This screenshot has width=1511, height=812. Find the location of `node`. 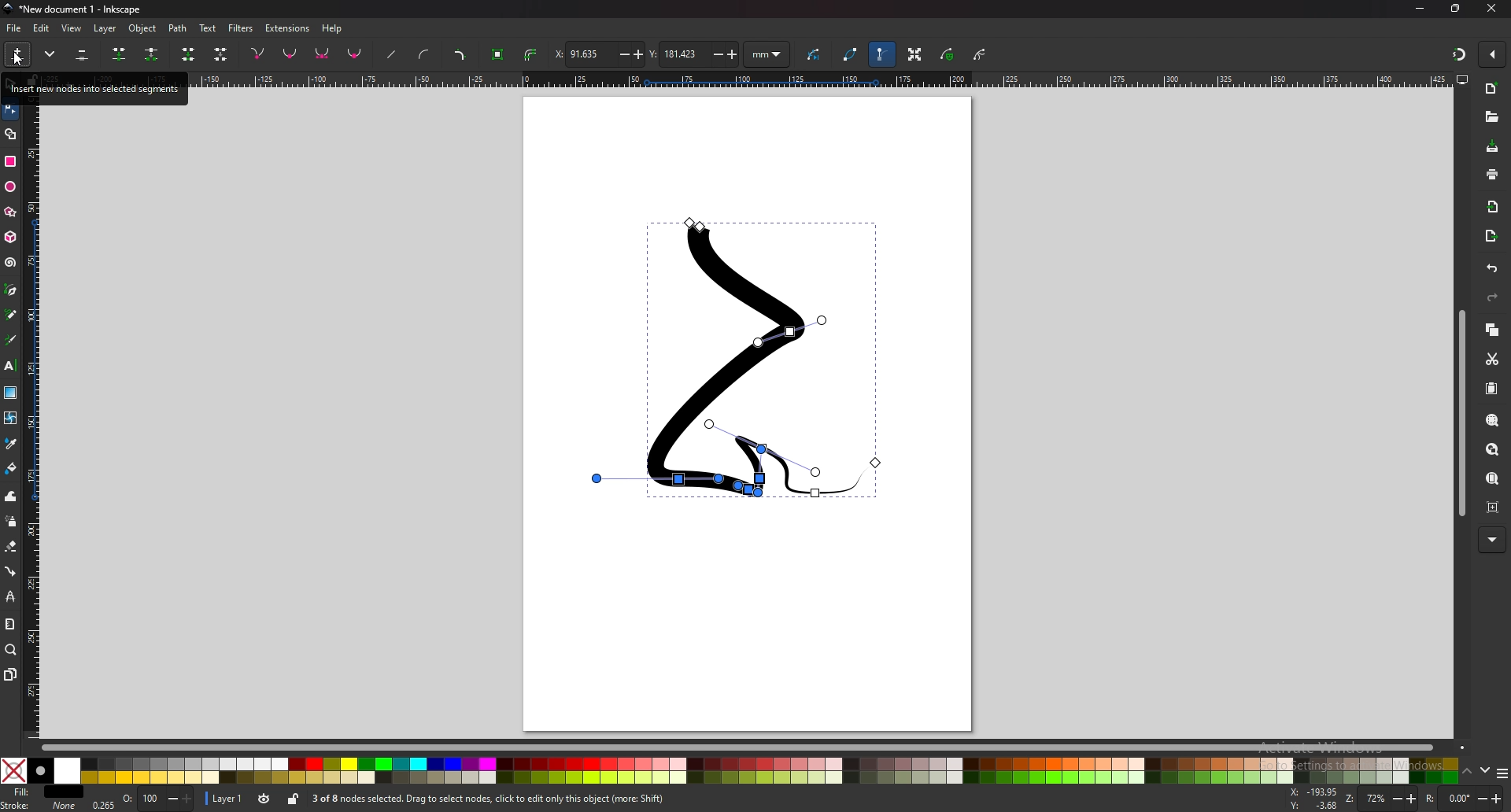

node is located at coordinates (10, 109).